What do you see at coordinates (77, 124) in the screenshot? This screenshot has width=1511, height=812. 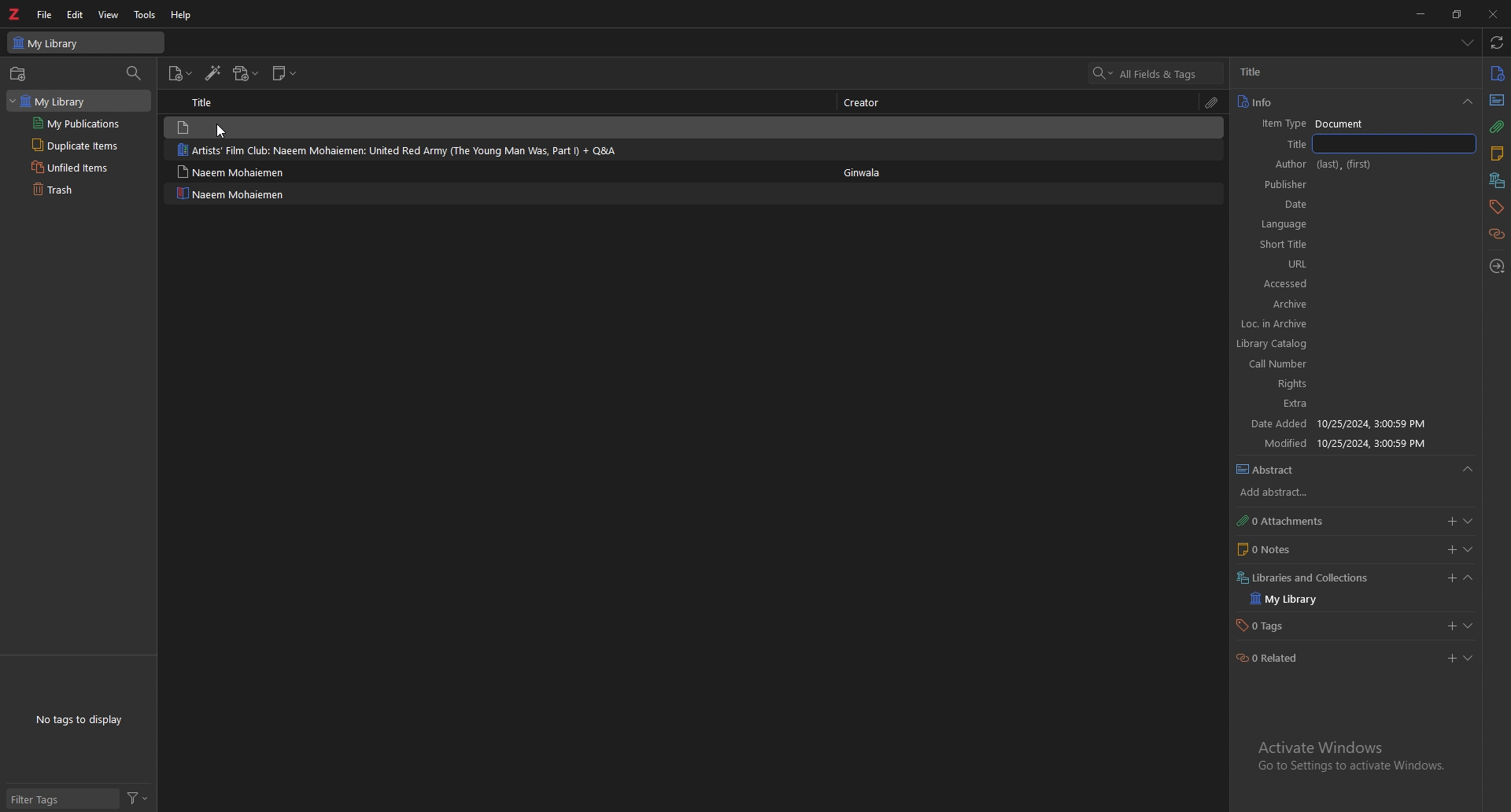 I see `my publications` at bounding box center [77, 124].